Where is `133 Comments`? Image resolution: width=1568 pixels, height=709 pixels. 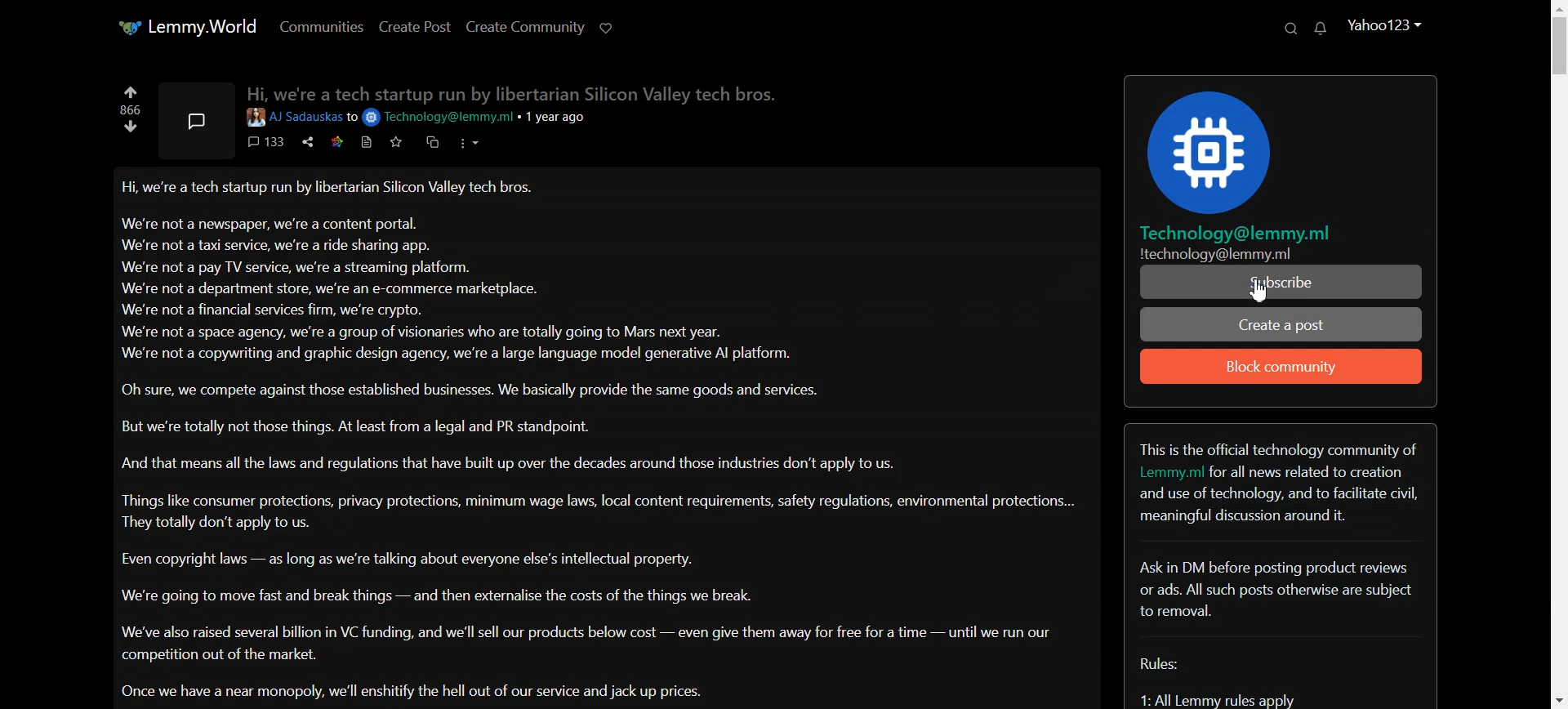
133 Comments is located at coordinates (265, 141).